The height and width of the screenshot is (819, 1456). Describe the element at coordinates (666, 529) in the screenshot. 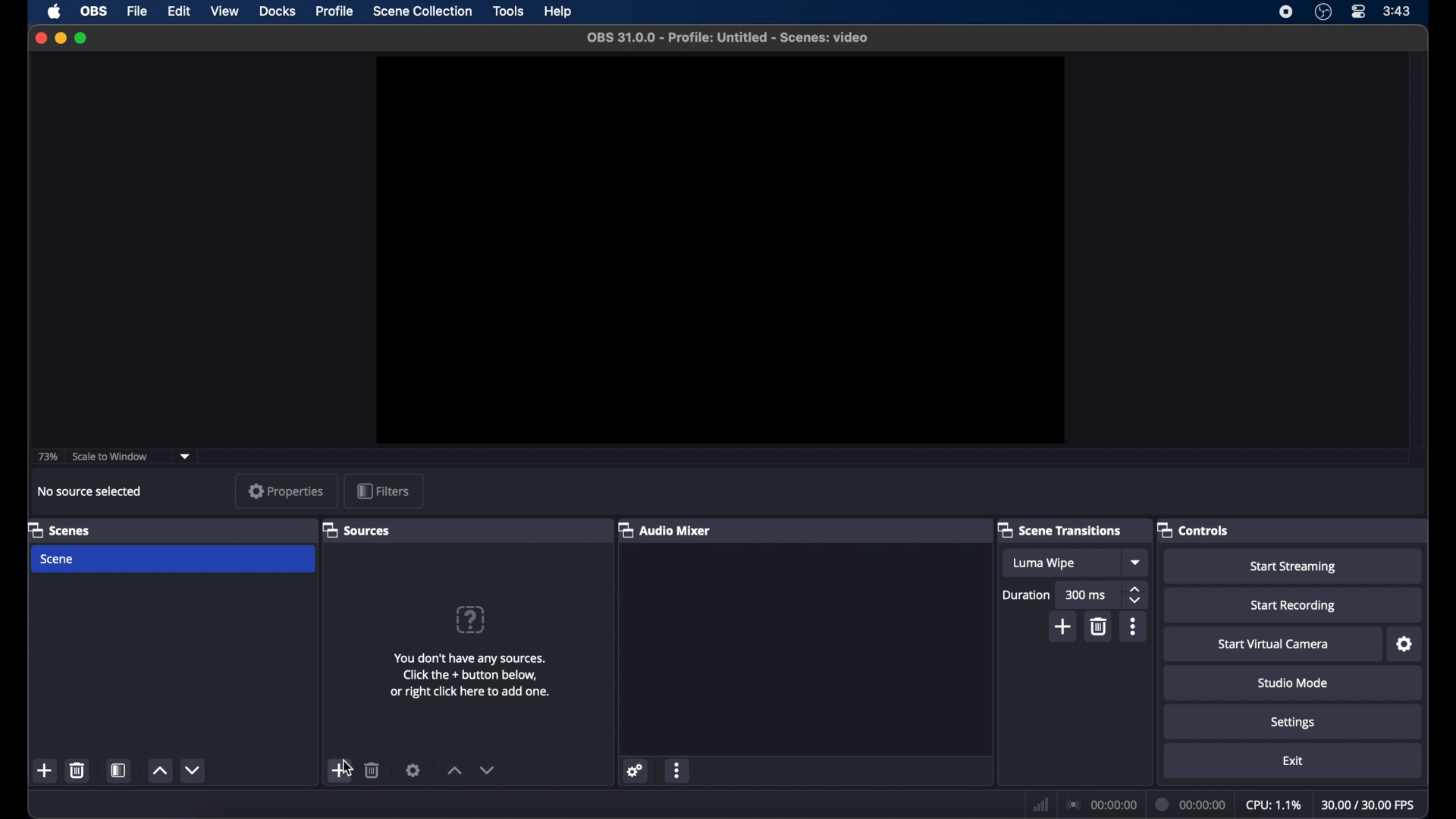

I see `audio mixer` at that location.